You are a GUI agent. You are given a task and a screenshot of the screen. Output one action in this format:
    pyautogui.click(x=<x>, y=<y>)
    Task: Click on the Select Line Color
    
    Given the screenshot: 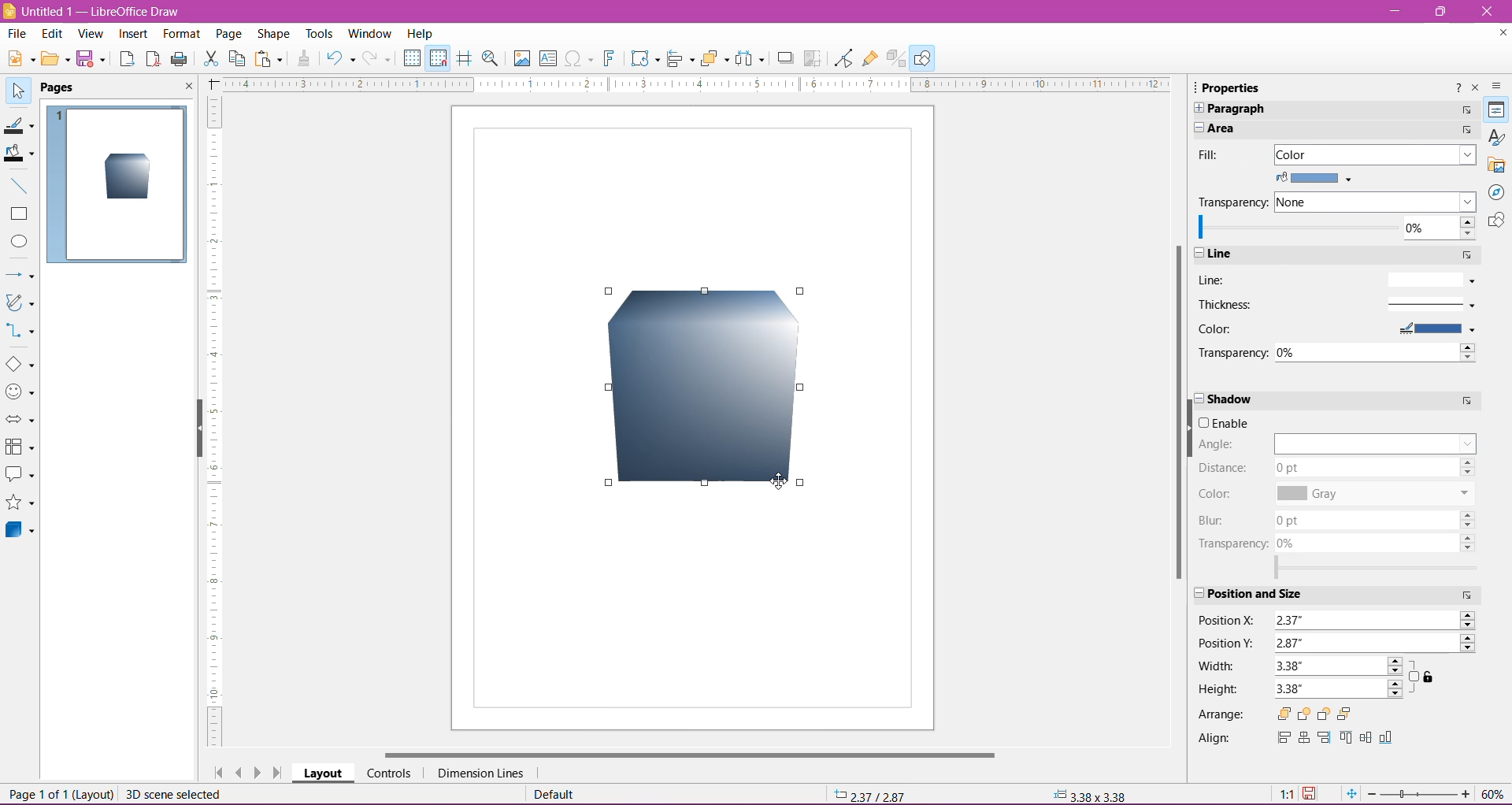 What is the action you would take?
    pyautogui.click(x=1435, y=329)
    